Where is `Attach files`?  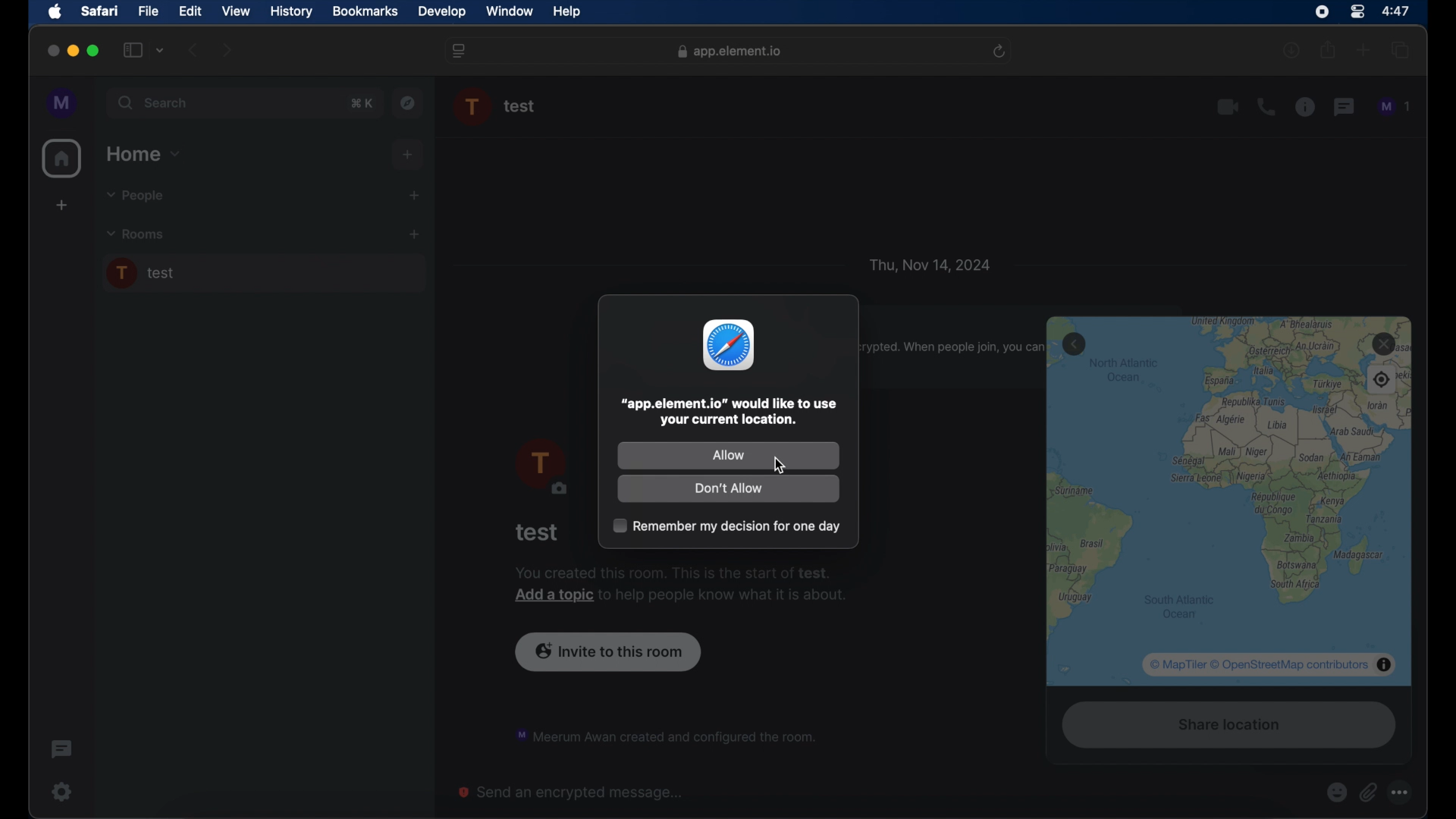
Attach files is located at coordinates (1371, 792).